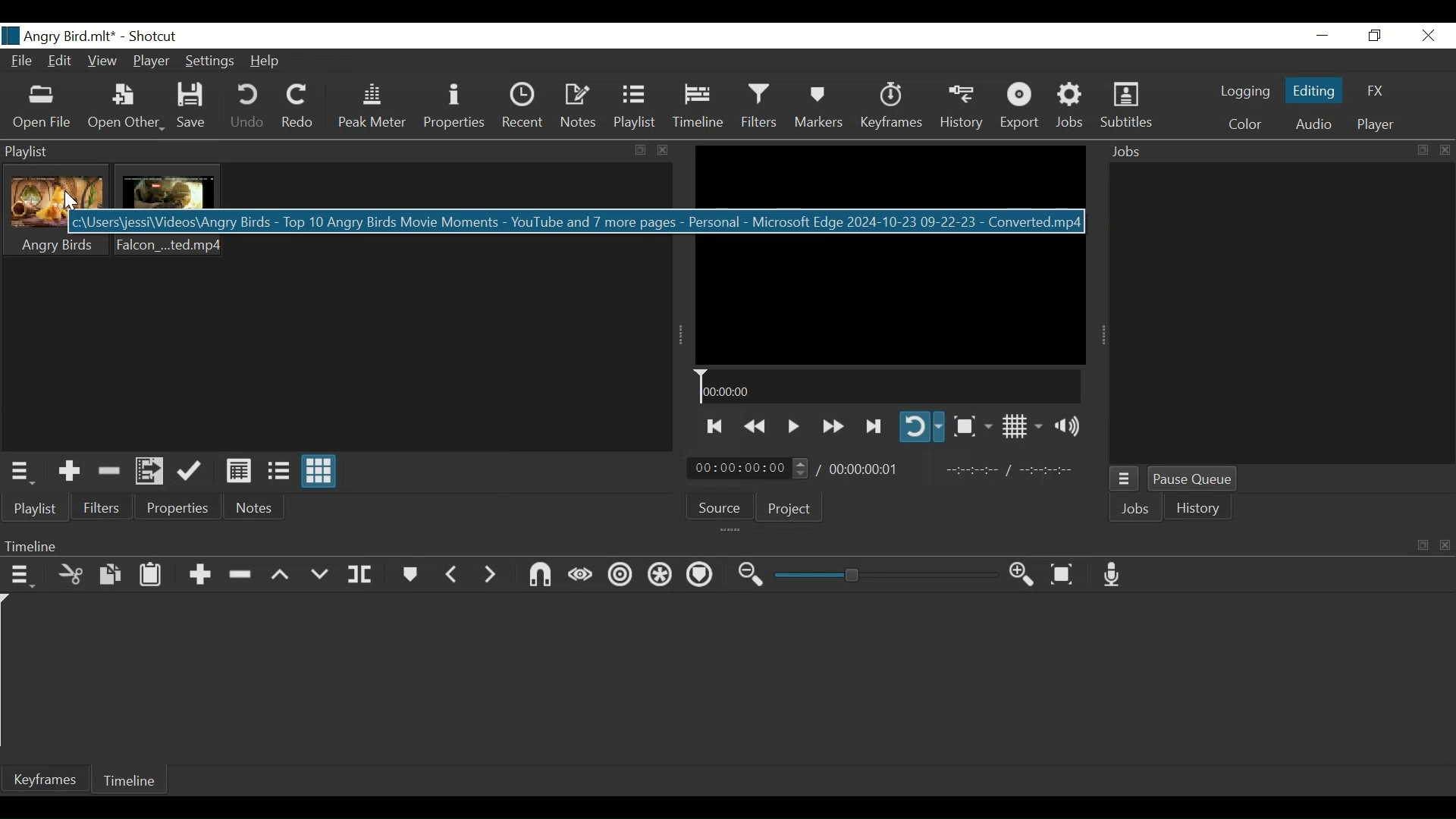 The height and width of the screenshot is (819, 1456). I want to click on Save, so click(196, 108).